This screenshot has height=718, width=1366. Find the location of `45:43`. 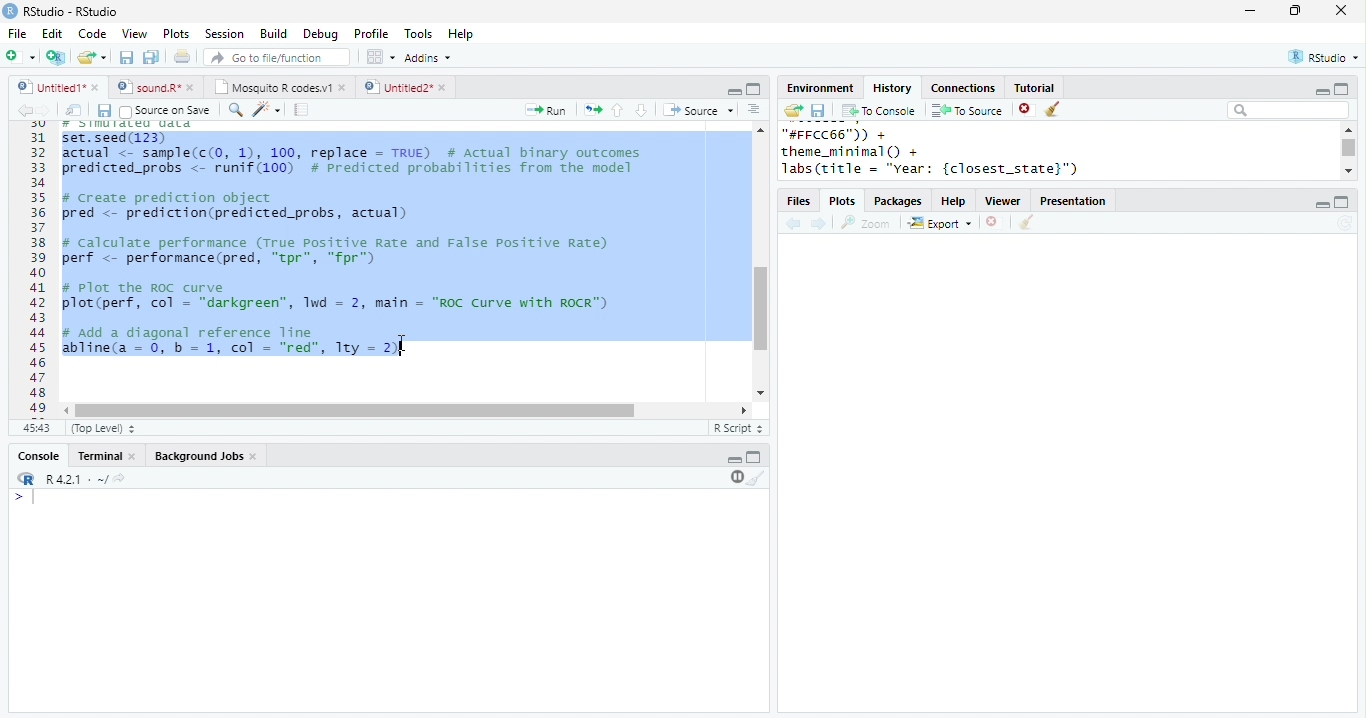

45:43 is located at coordinates (36, 427).